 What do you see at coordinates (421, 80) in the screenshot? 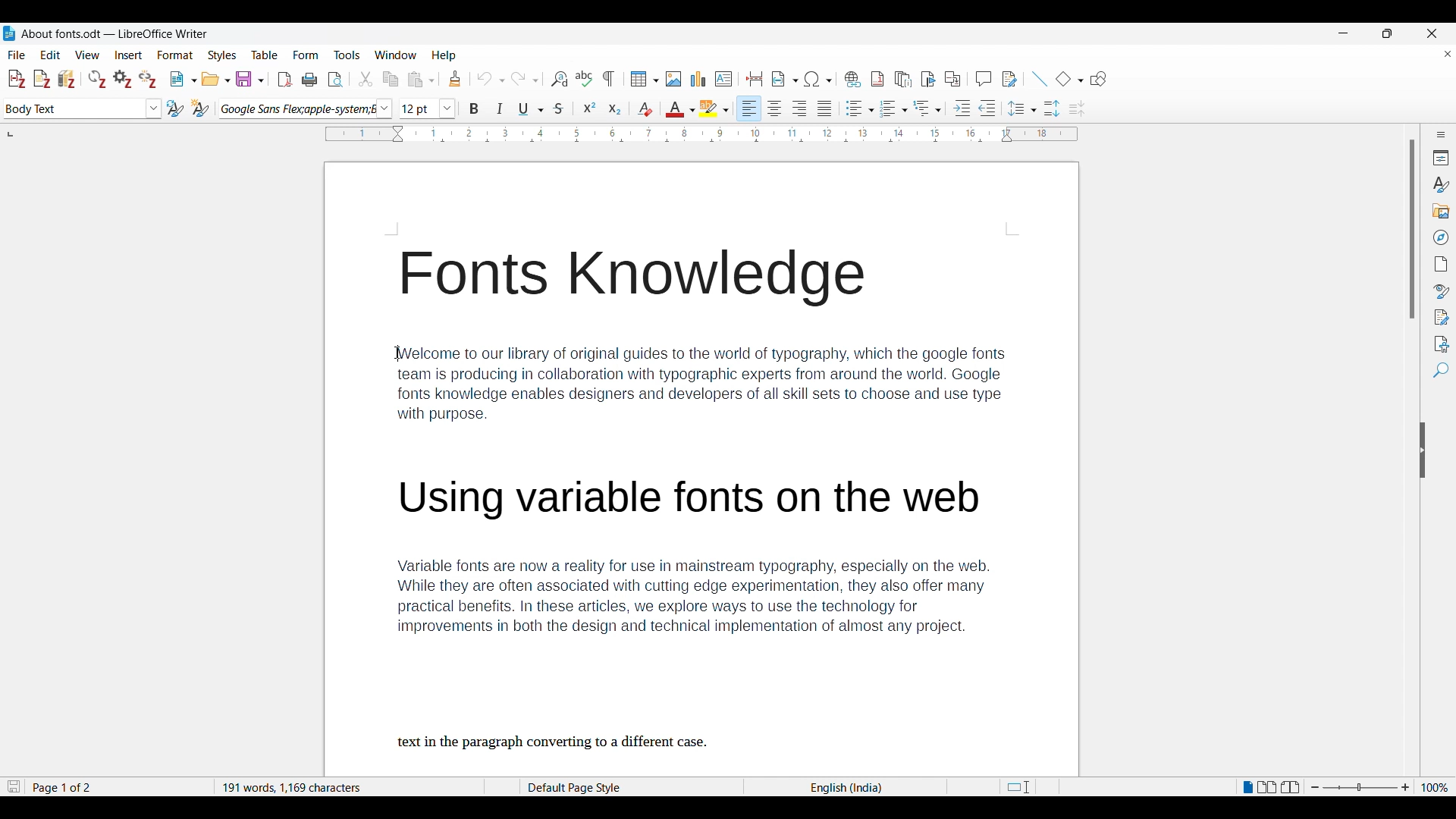
I see `Paste` at bounding box center [421, 80].